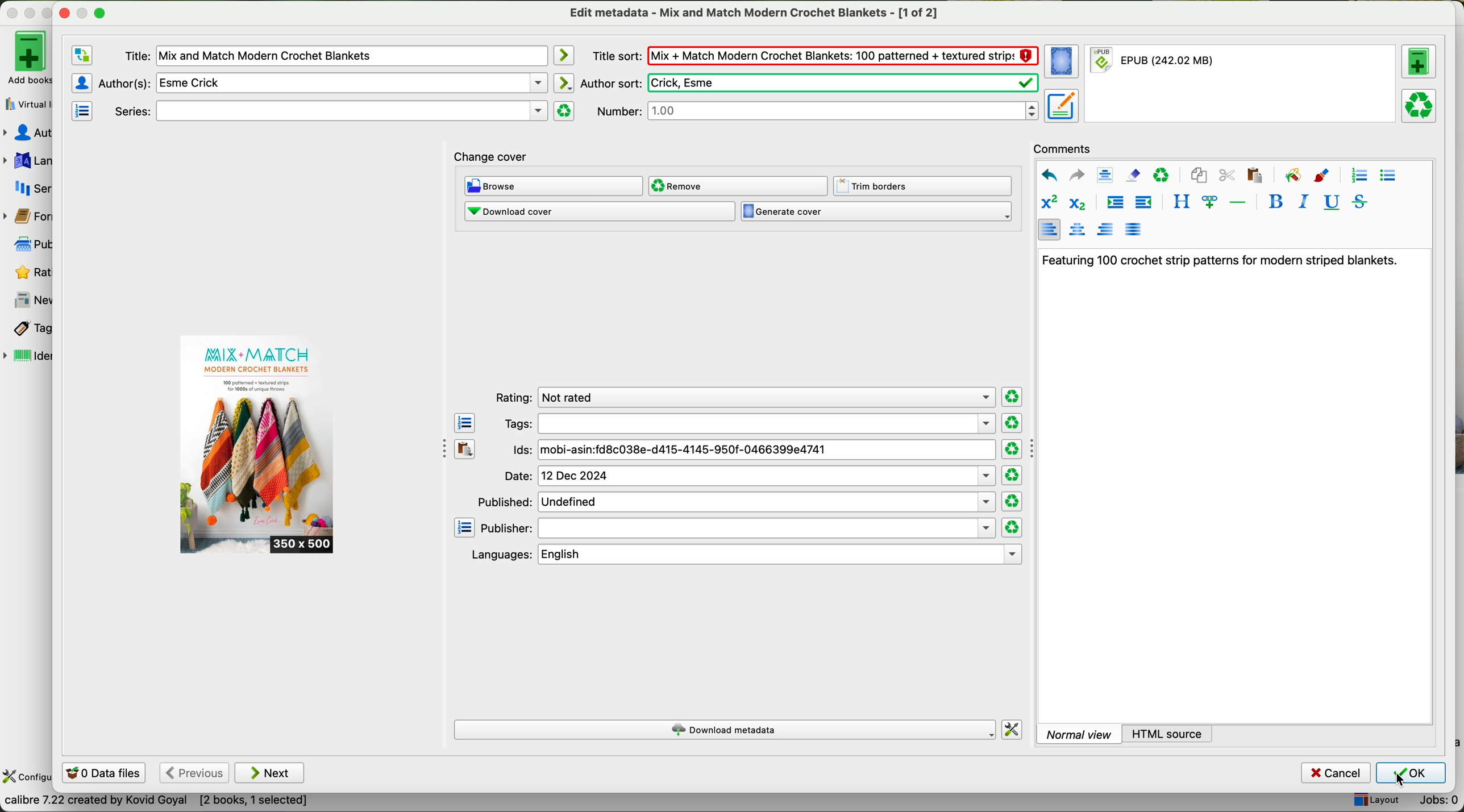 The height and width of the screenshot is (812, 1464). What do you see at coordinates (26, 101) in the screenshot?
I see `virtual library` at bounding box center [26, 101].